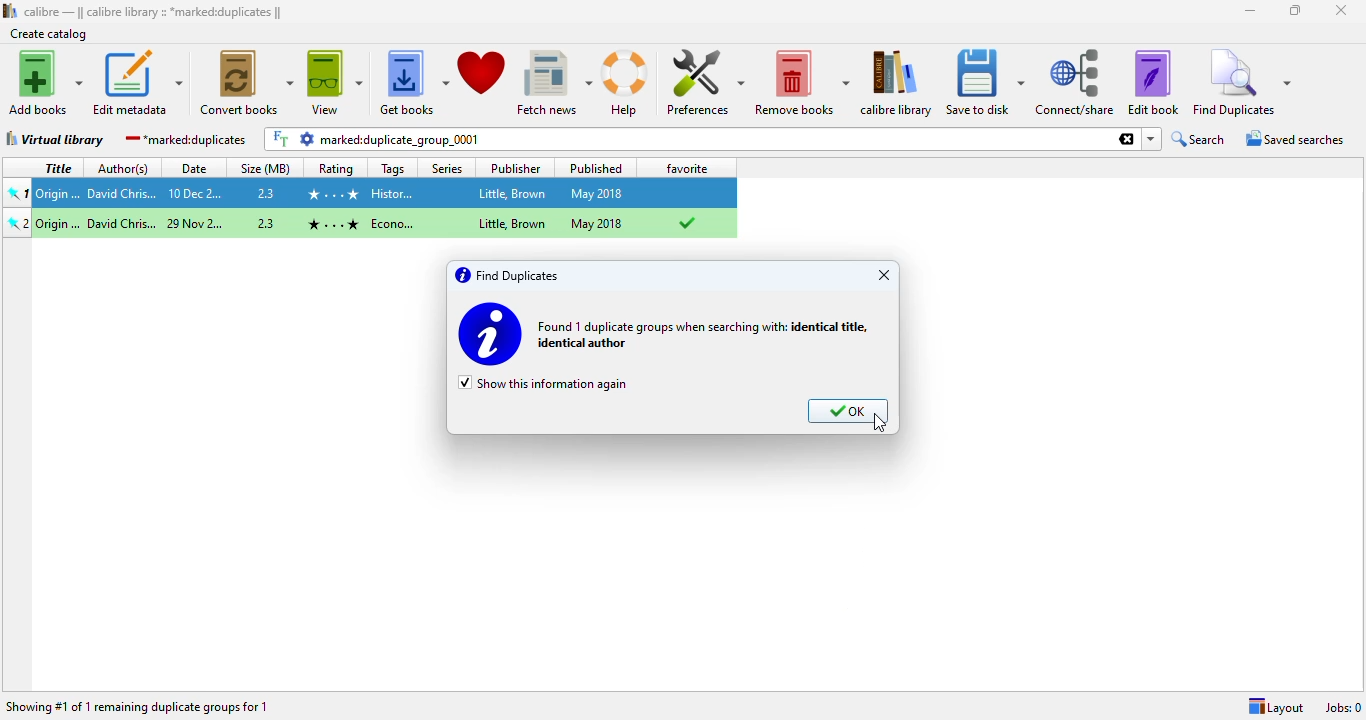  What do you see at coordinates (598, 165) in the screenshot?
I see `published` at bounding box center [598, 165].